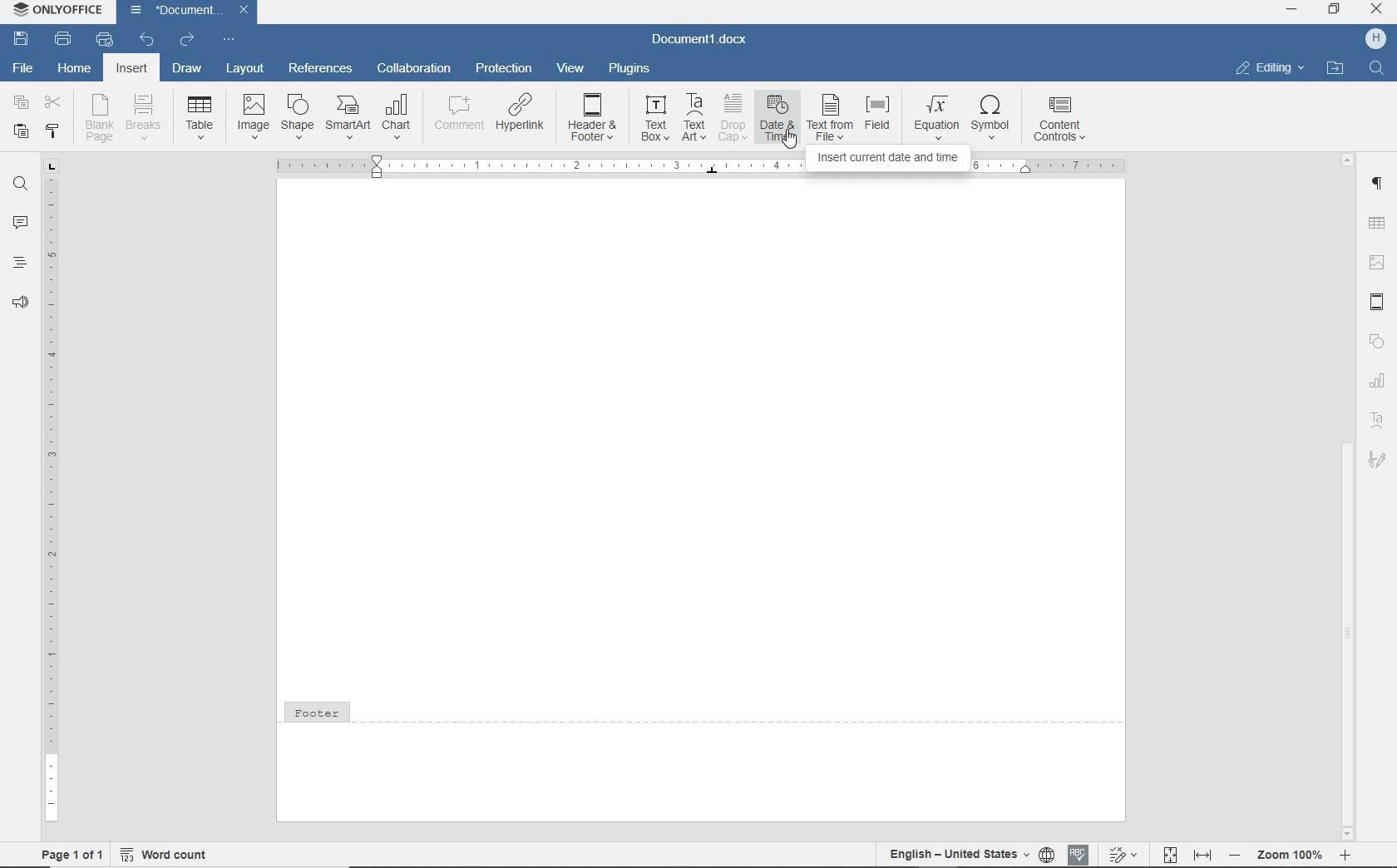 Image resolution: width=1397 pixels, height=868 pixels. I want to click on undo, so click(147, 42).